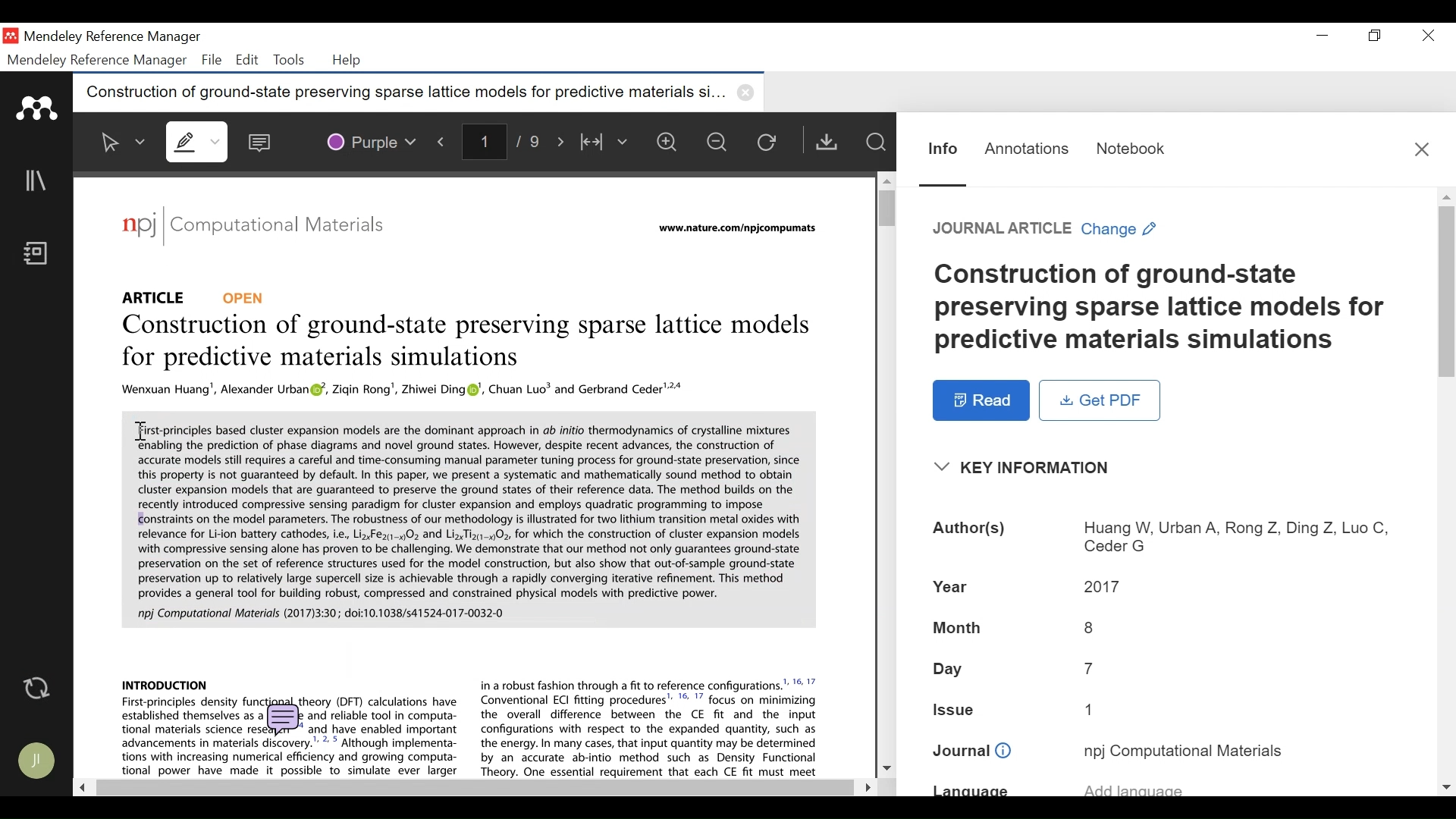  Describe the element at coordinates (12, 36) in the screenshot. I see `Mendeley Desktop Icon` at that location.